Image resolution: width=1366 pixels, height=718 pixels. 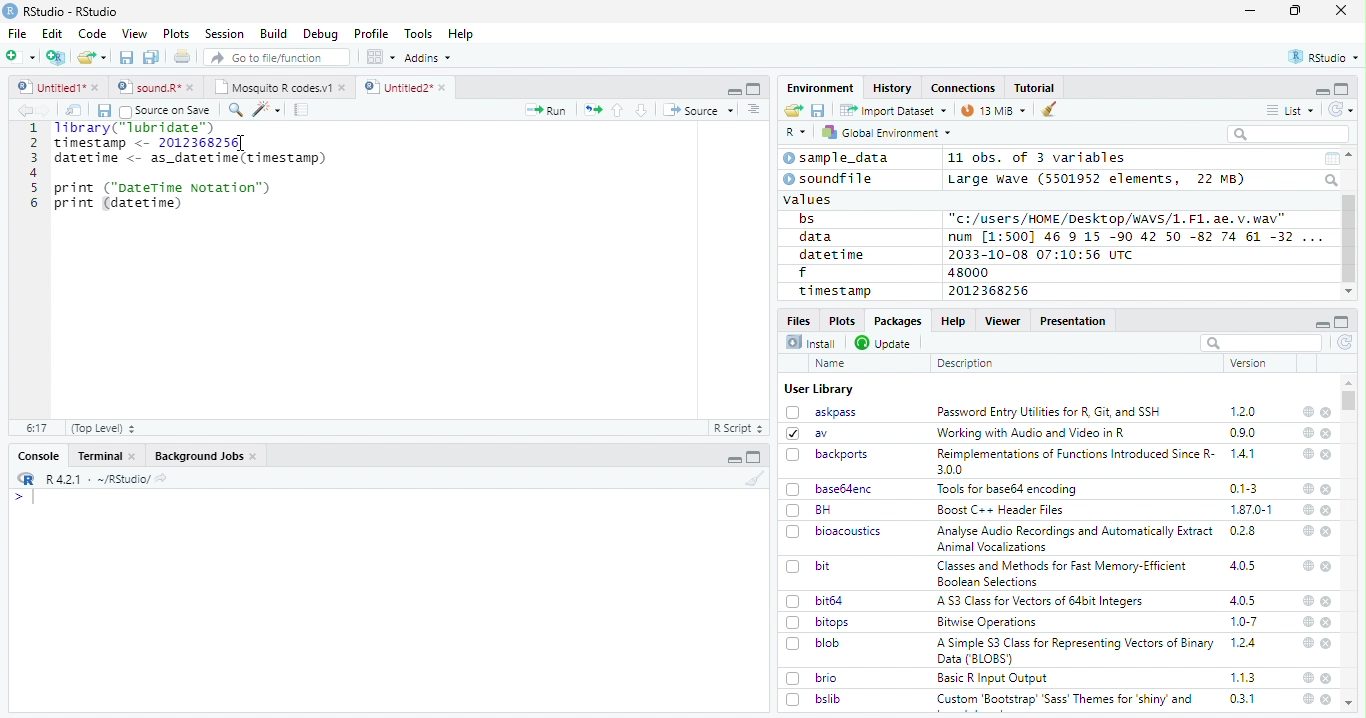 I want to click on Terminal, so click(x=106, y=456).